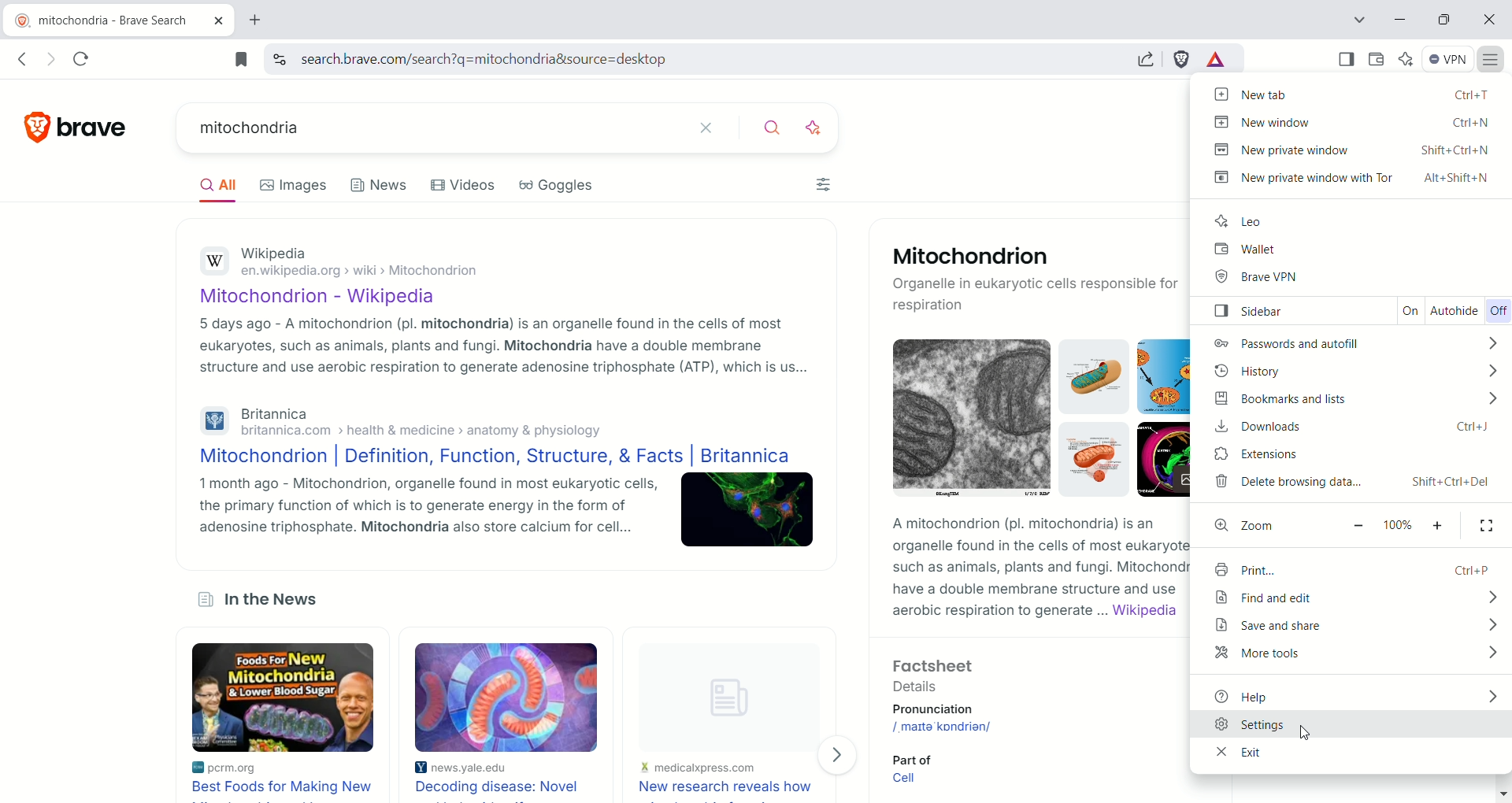 This screenshot has width=1512, height=803. What do you see at coordinates (1447, 20) in the screenshot?
I see `maximize` at bounding box center [1447, 20].